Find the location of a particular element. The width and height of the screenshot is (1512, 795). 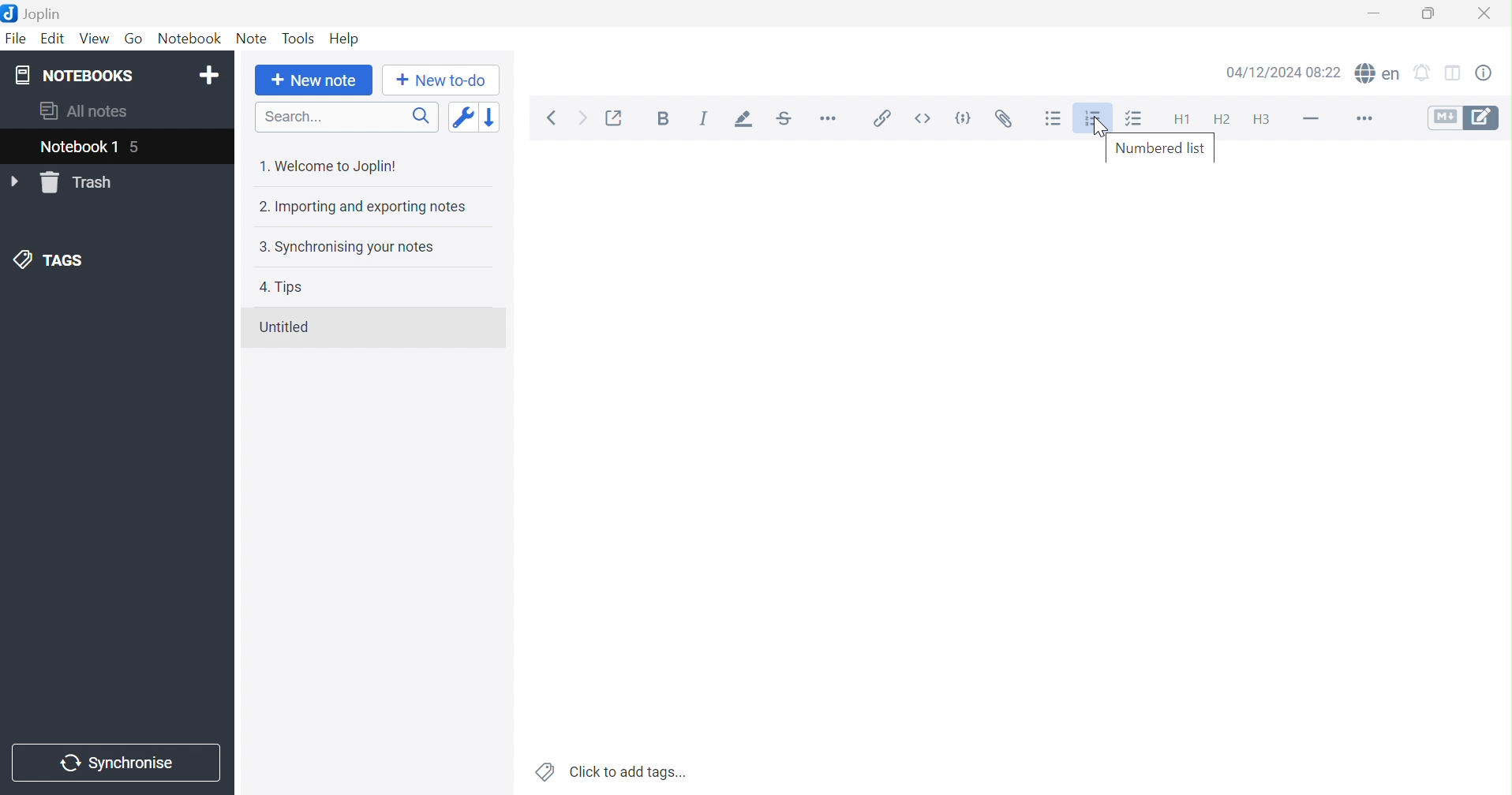

Notebook 1 is located at coordinates (78, 148).